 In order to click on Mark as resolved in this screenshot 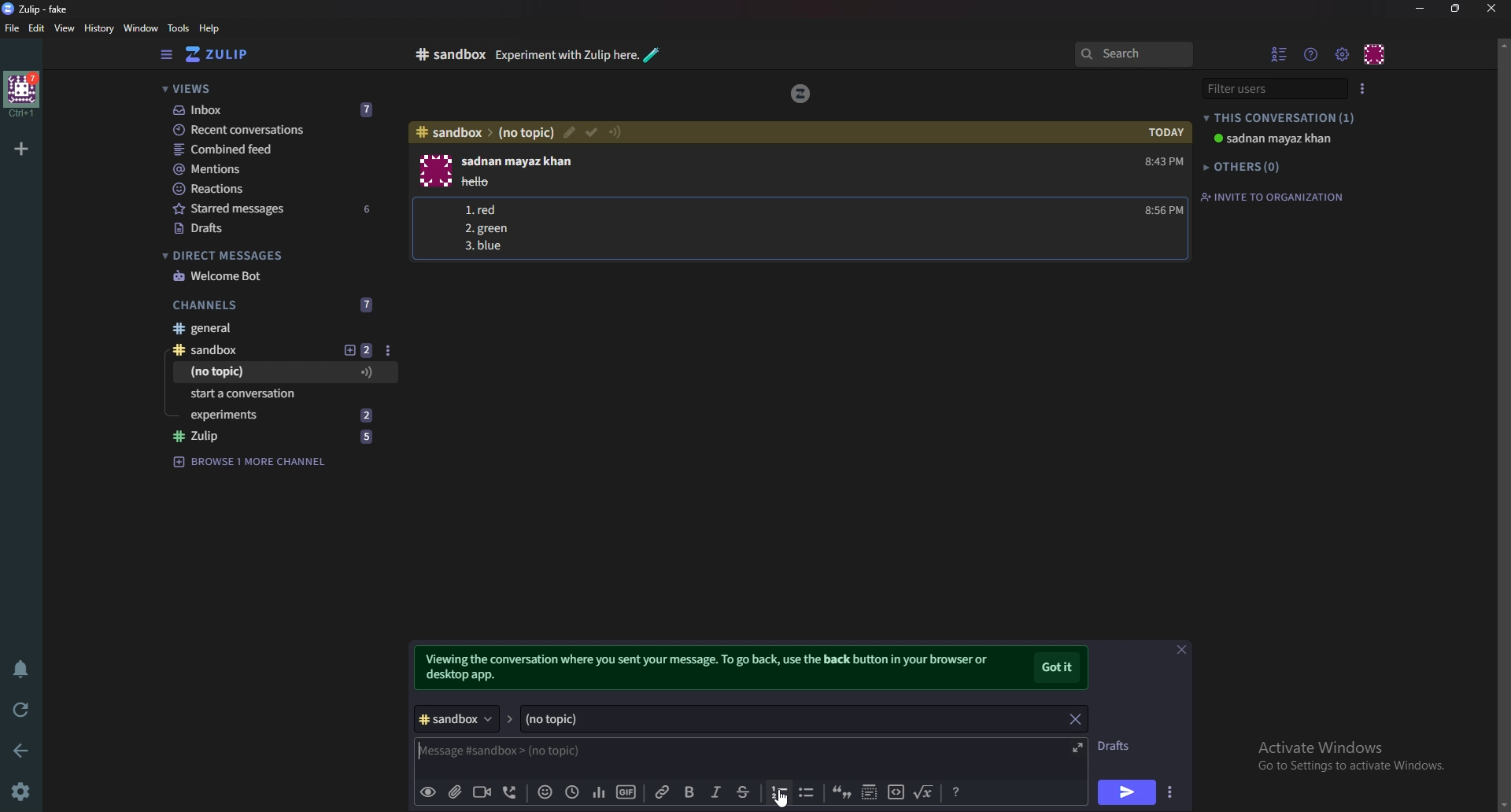, I will do `click(590, 131)`.